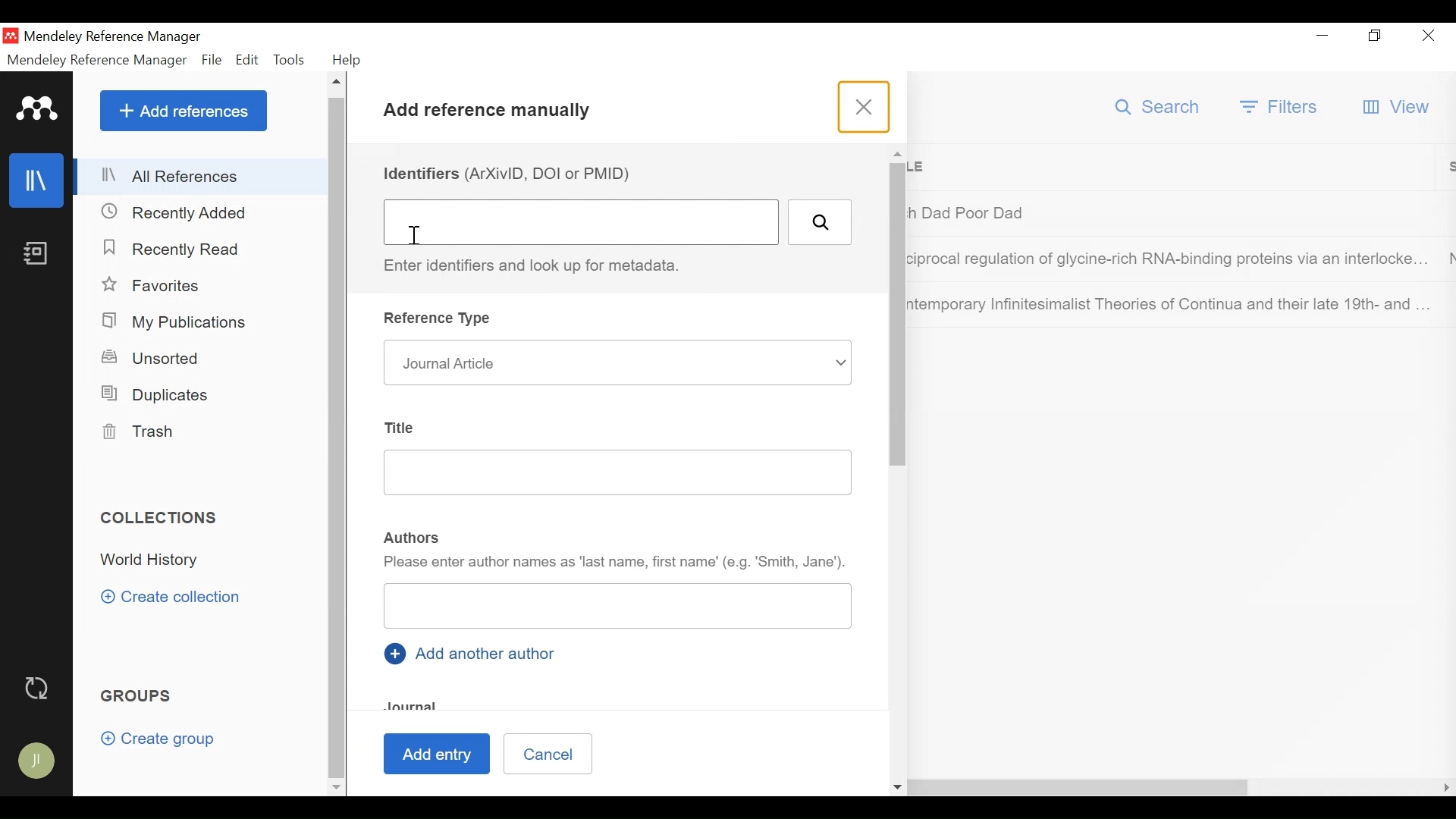  Describe the element at coordinates (580, 224) in the screenshot. I see `Identifiers ` at that location.